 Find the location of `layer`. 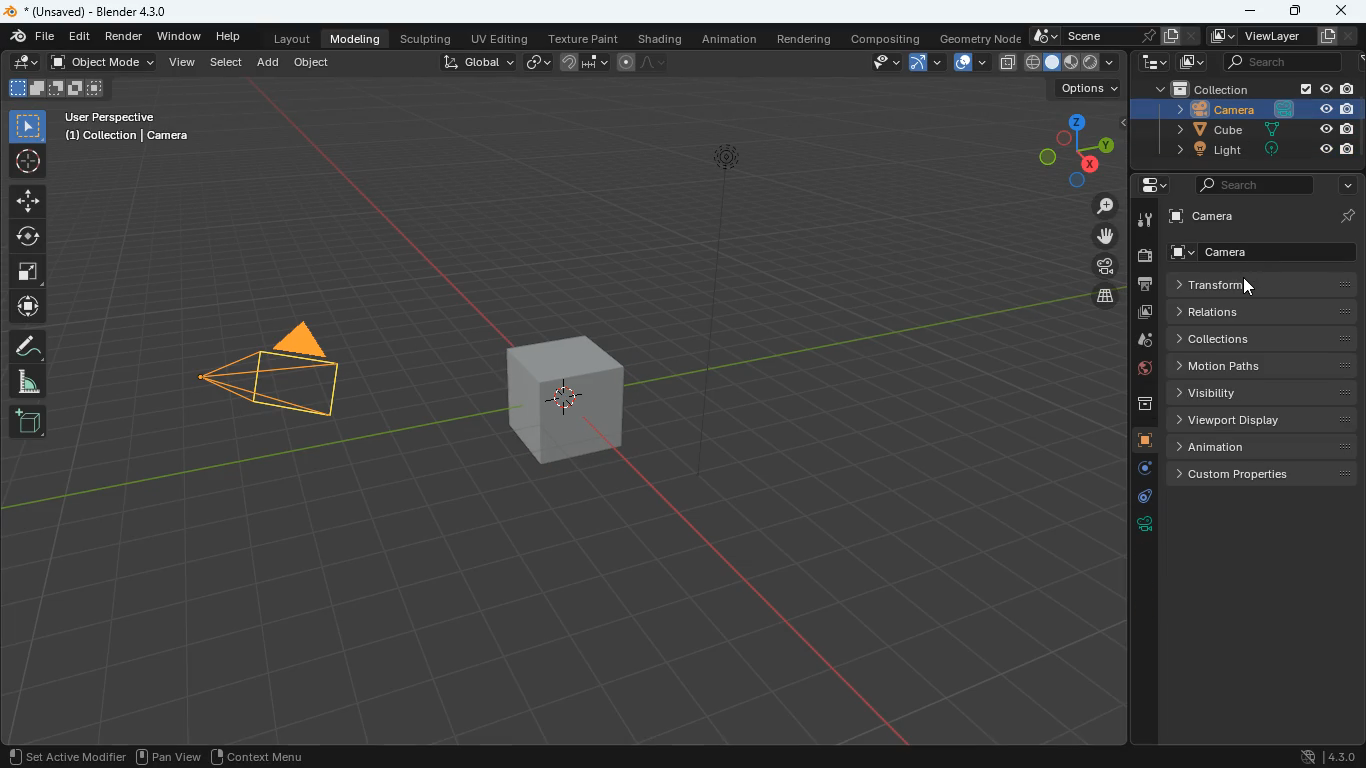

layer is located at coordinates (1098, 295).